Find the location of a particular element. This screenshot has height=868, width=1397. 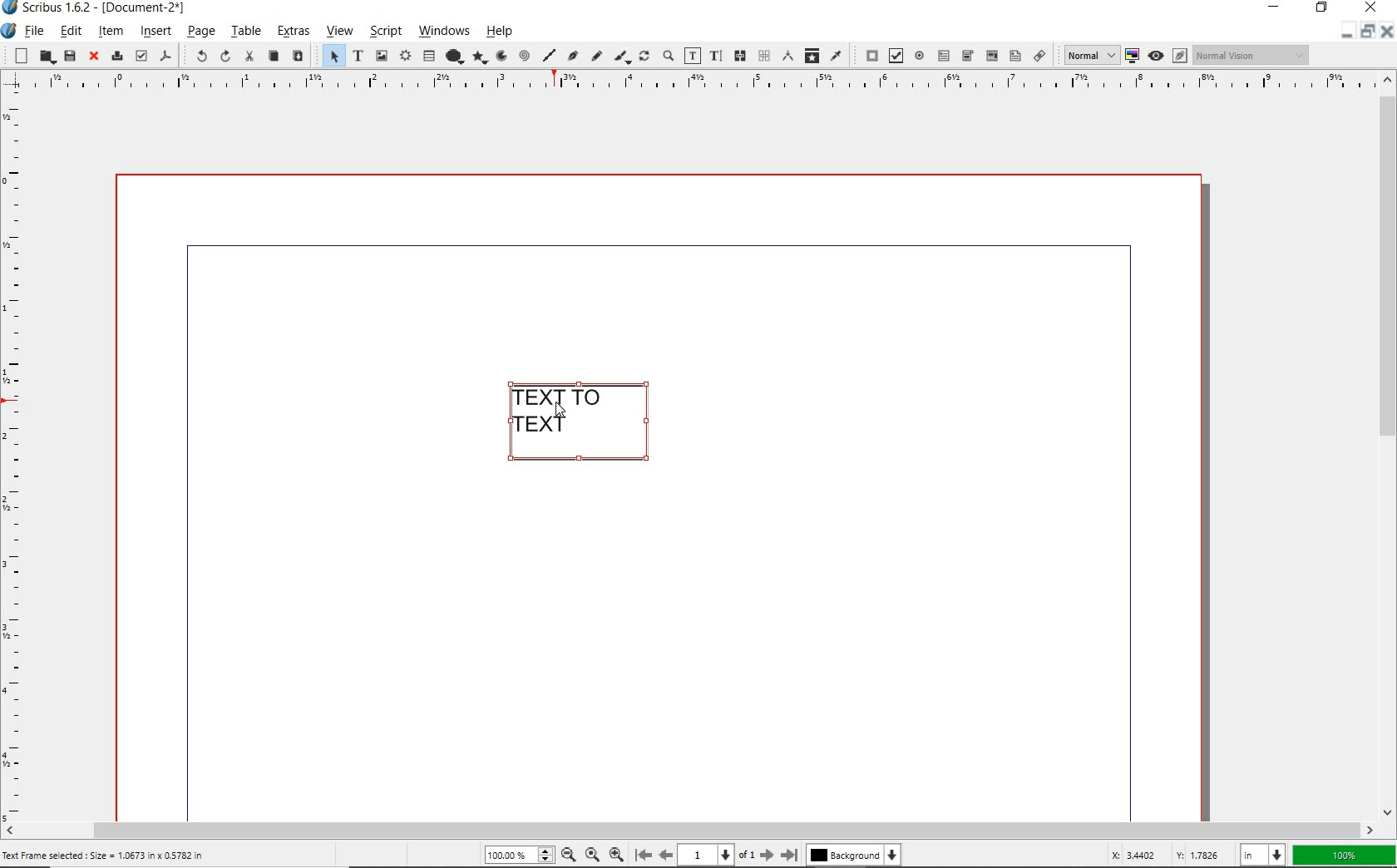

move to first is located at coordinates (643, 856).